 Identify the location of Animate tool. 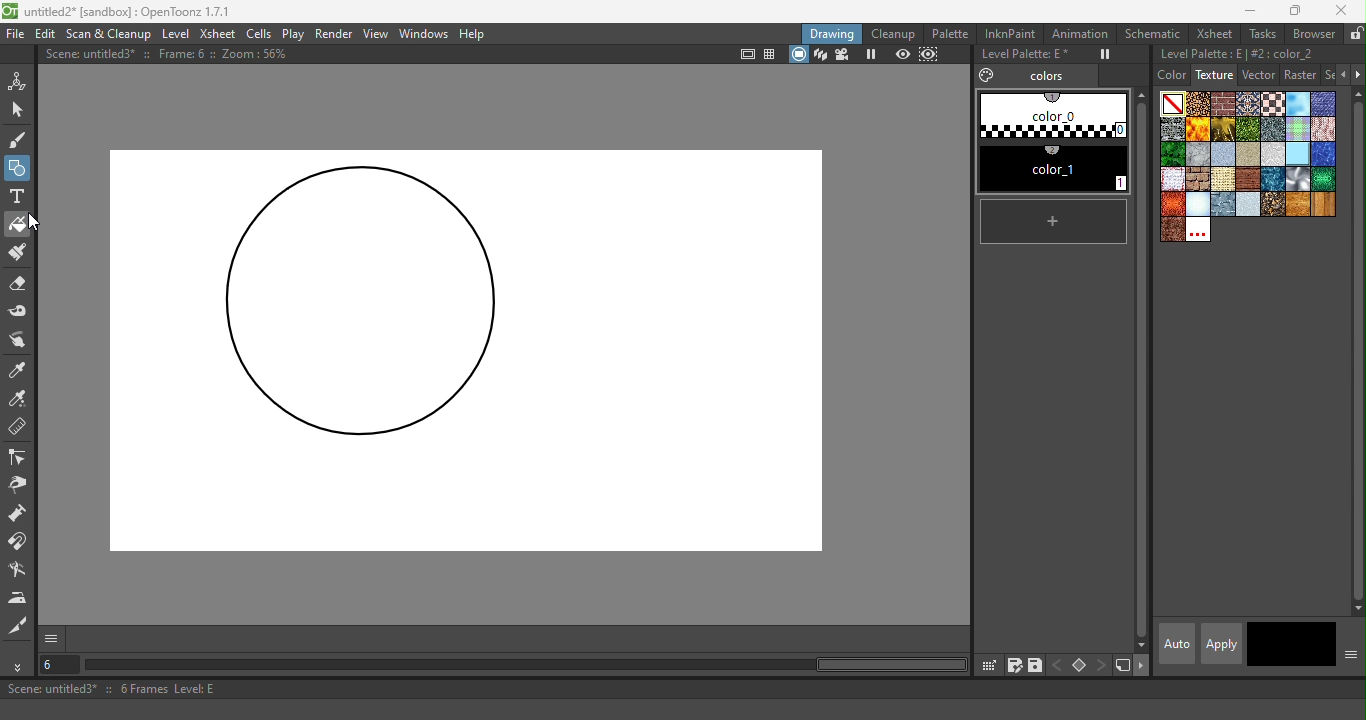
(21, 78).